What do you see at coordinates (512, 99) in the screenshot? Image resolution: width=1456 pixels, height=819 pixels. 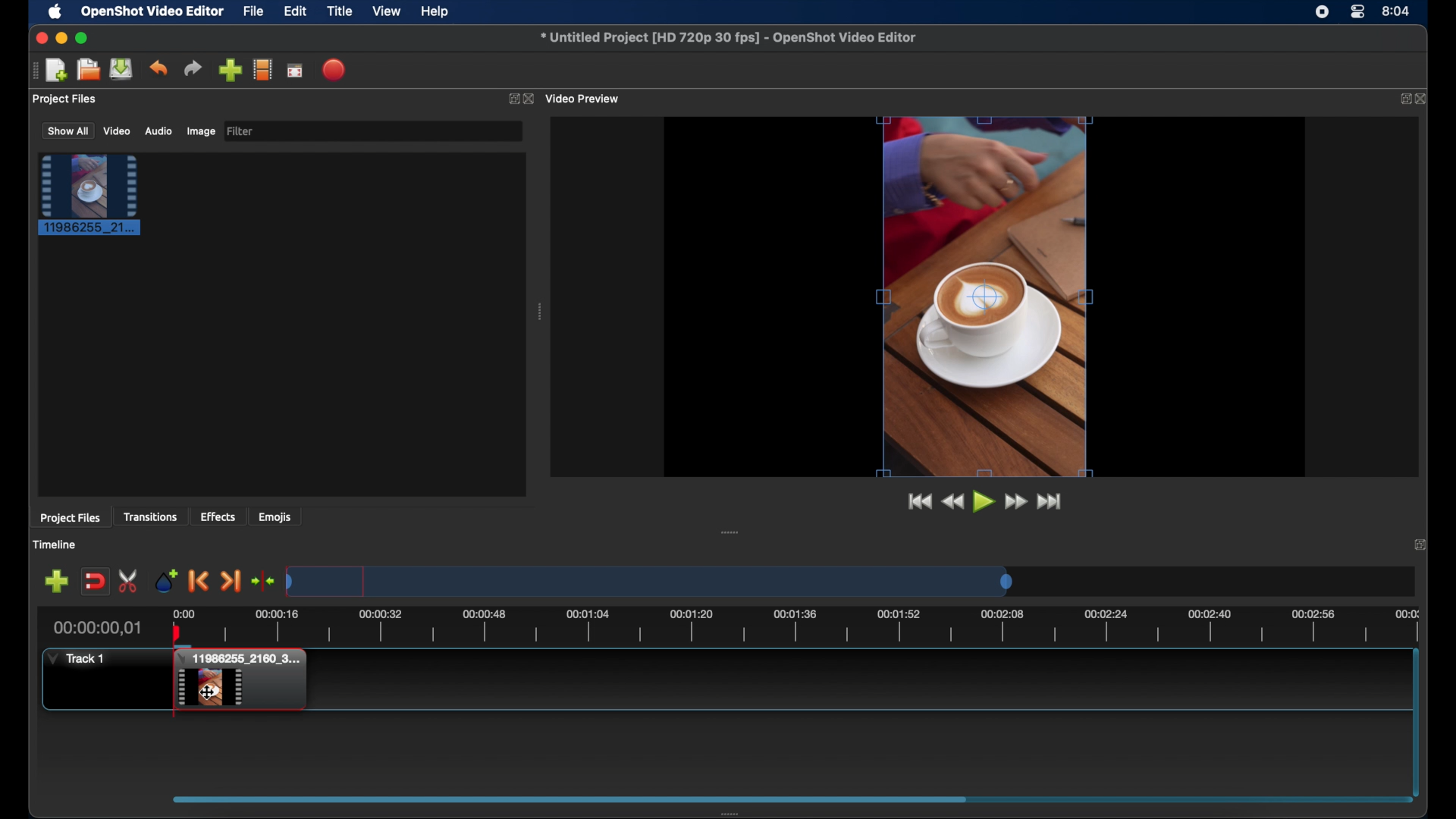 I see `expand` at bounding box center [512, 99].